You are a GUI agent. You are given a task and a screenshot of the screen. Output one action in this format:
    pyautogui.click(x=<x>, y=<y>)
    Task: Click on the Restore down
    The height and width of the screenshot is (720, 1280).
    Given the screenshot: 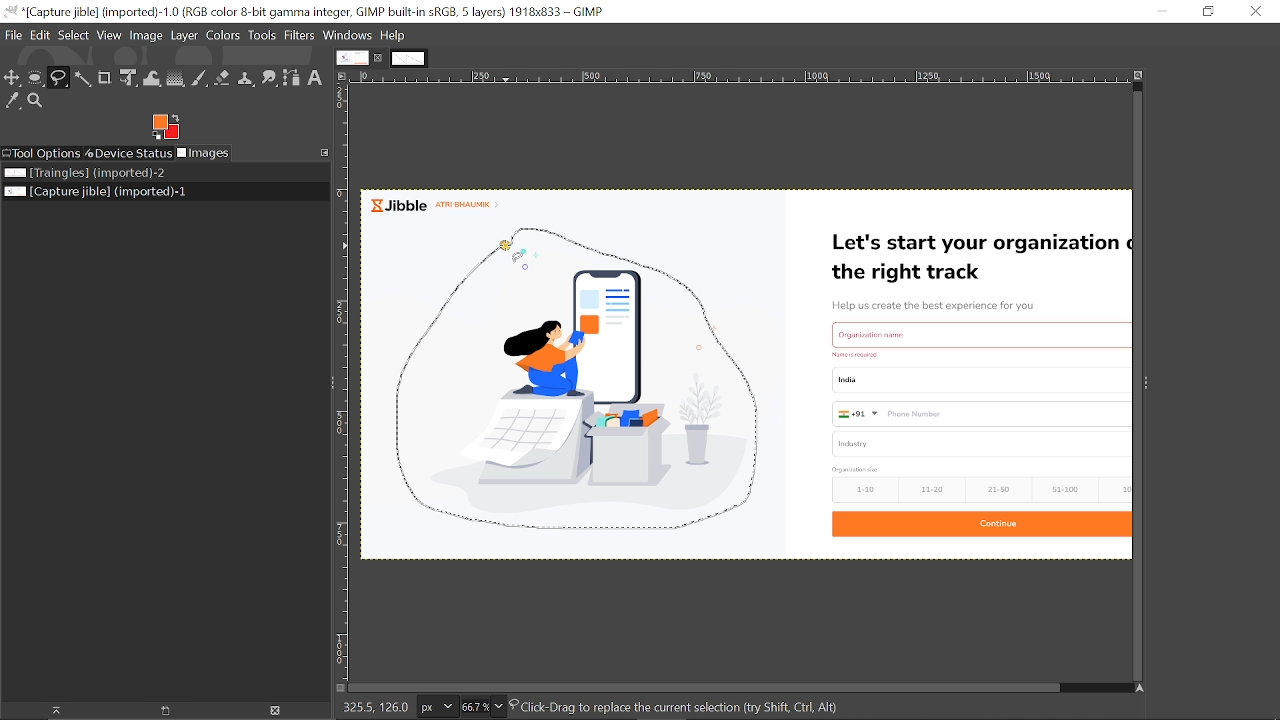 What is the action you would take?
    pyautogui.click(x=1207, y=11)
    